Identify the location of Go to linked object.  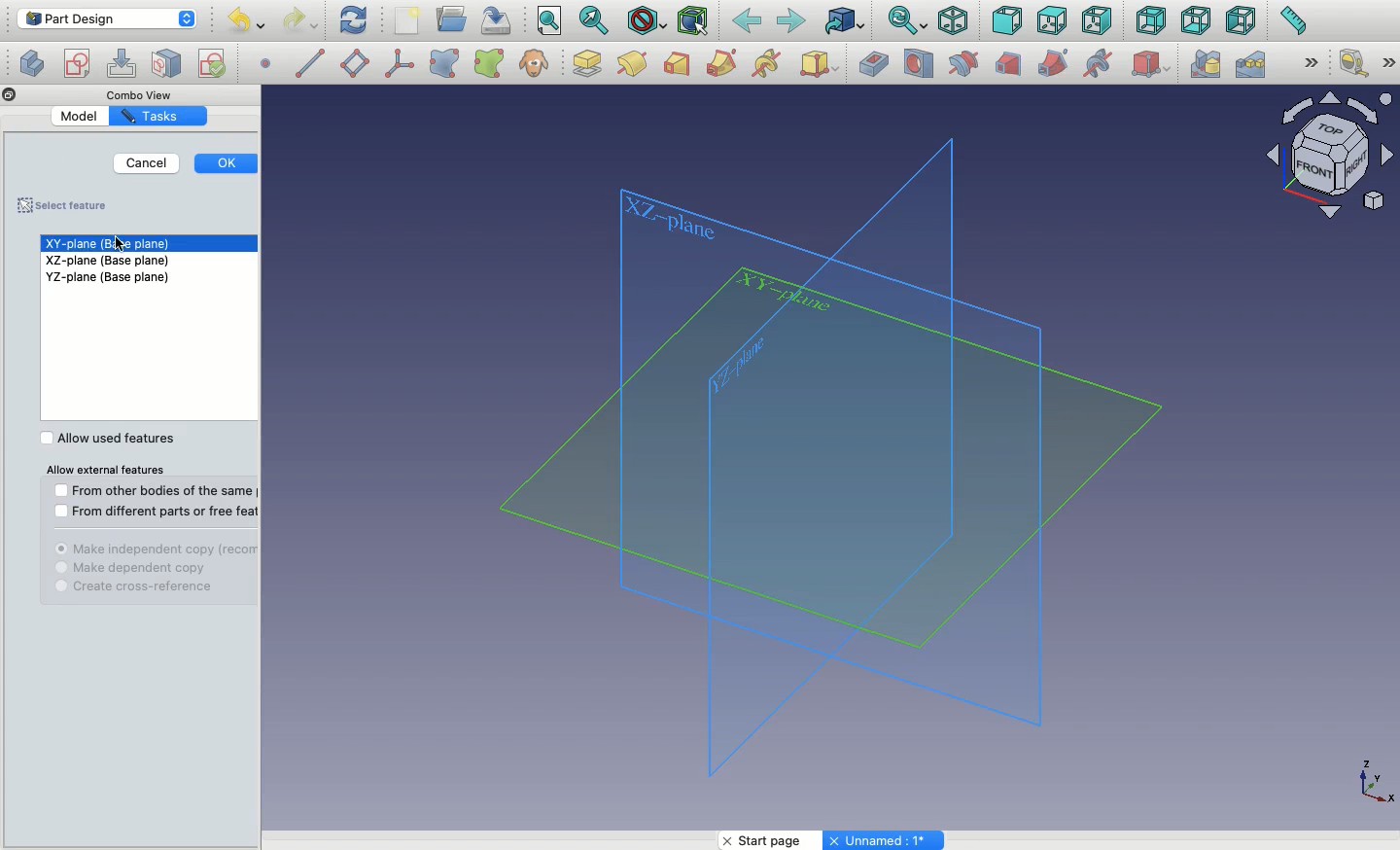
(845, 22).